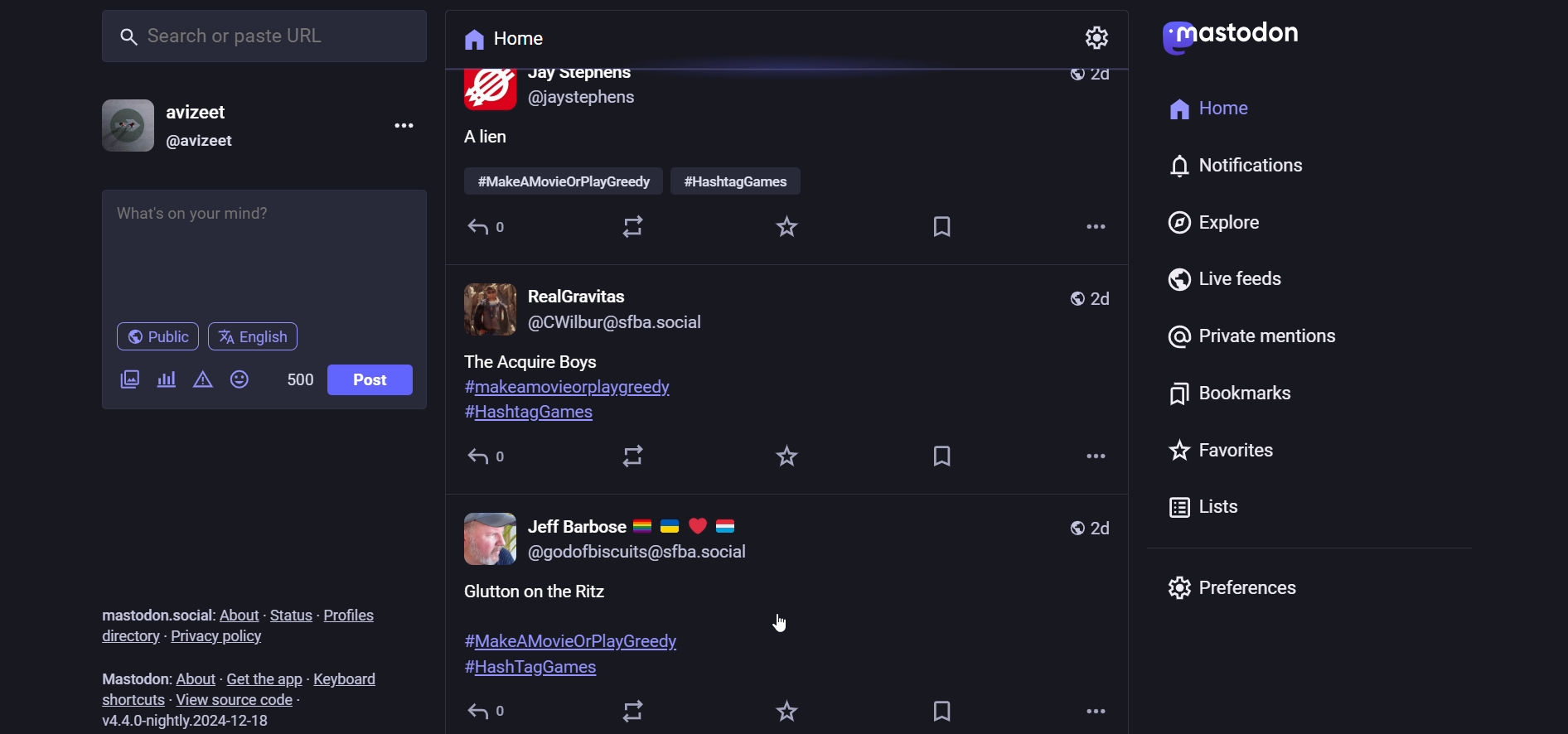 This screenshot has height=734, width=1568. I want to click on about, so click(192, 678).